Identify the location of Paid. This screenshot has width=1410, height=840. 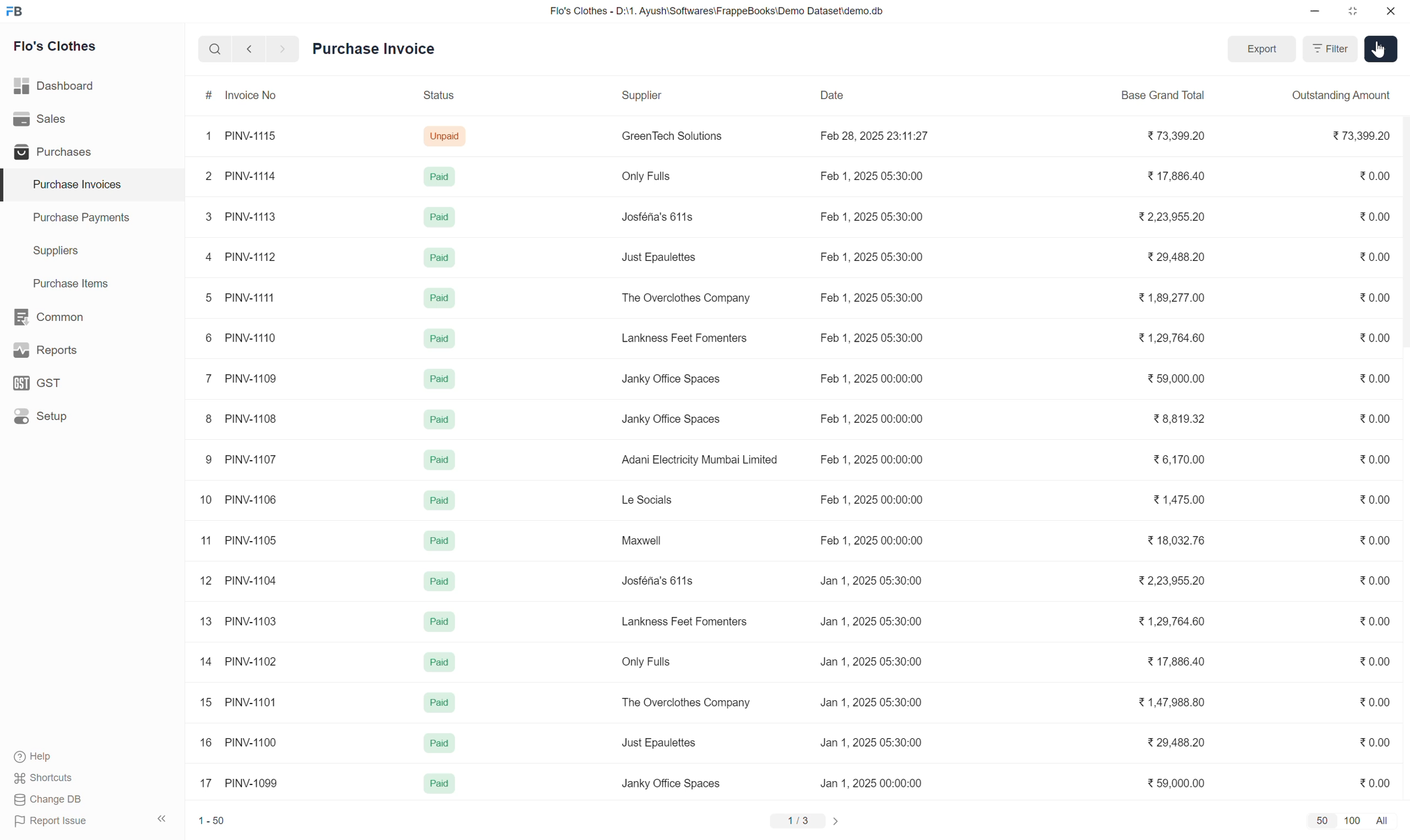
(437, 660).